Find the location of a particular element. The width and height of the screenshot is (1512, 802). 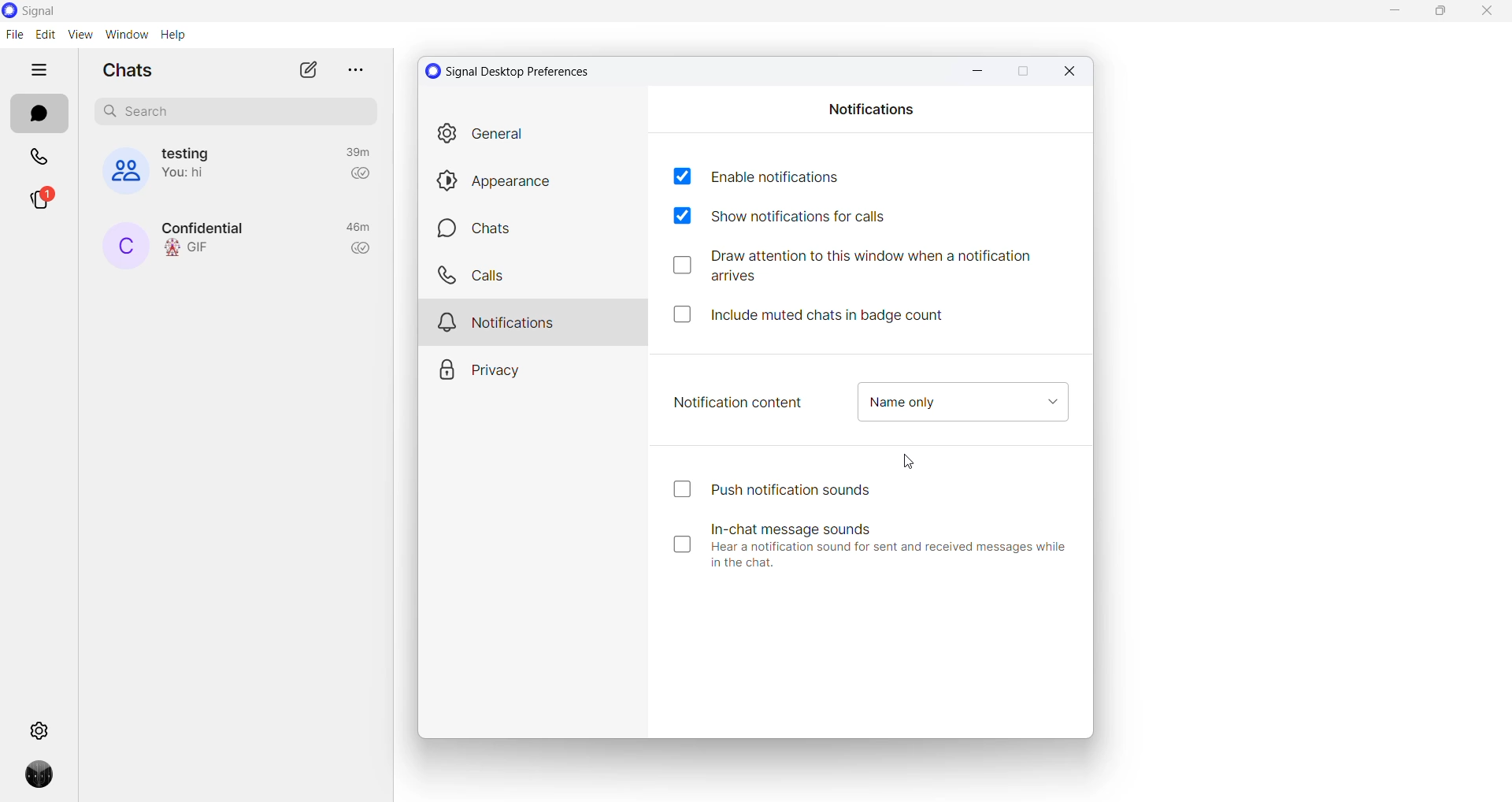

cursor is located at coordinates (913, 463).